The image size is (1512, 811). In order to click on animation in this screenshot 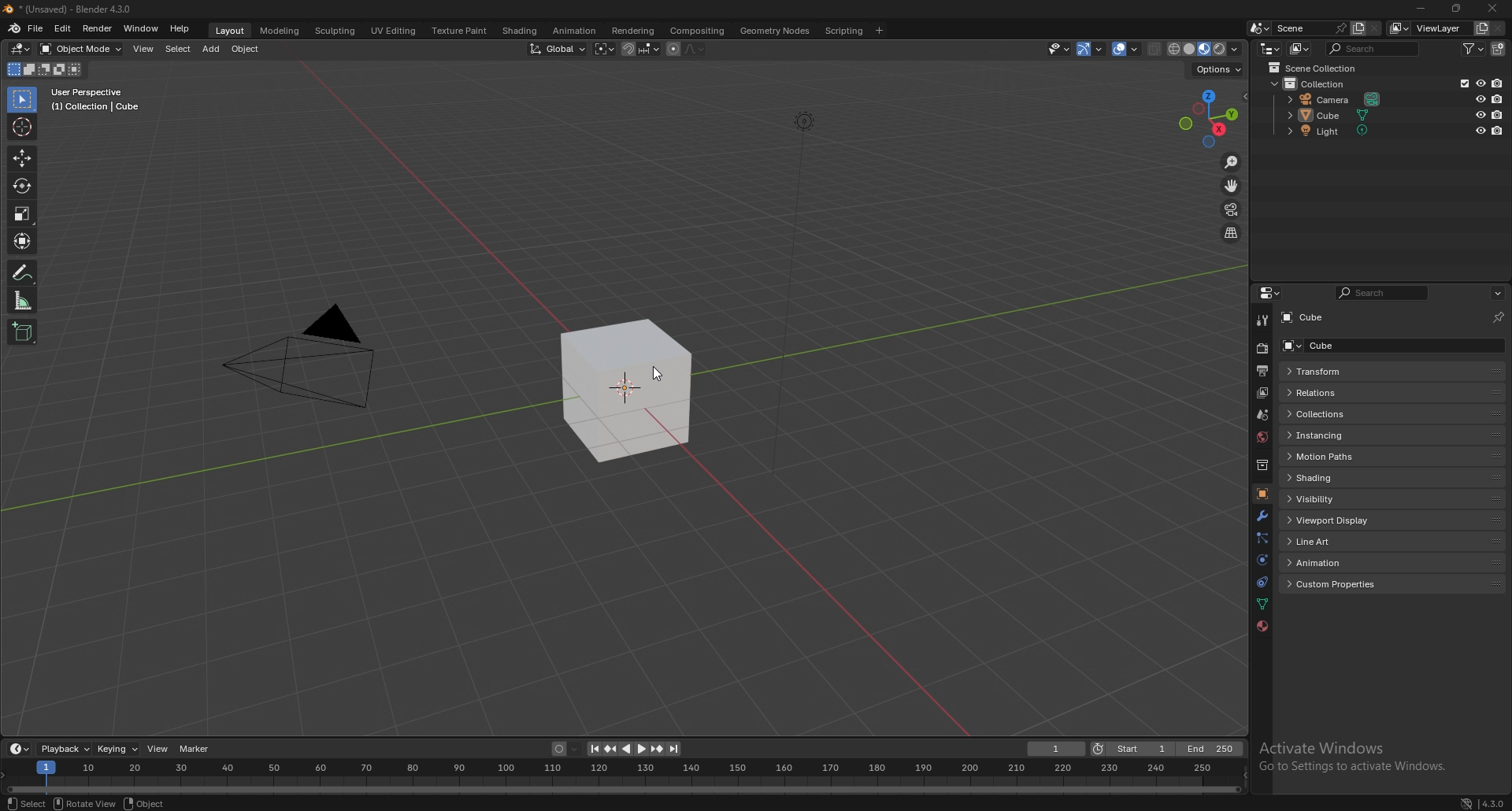, I will do `click(1338, 563)`.